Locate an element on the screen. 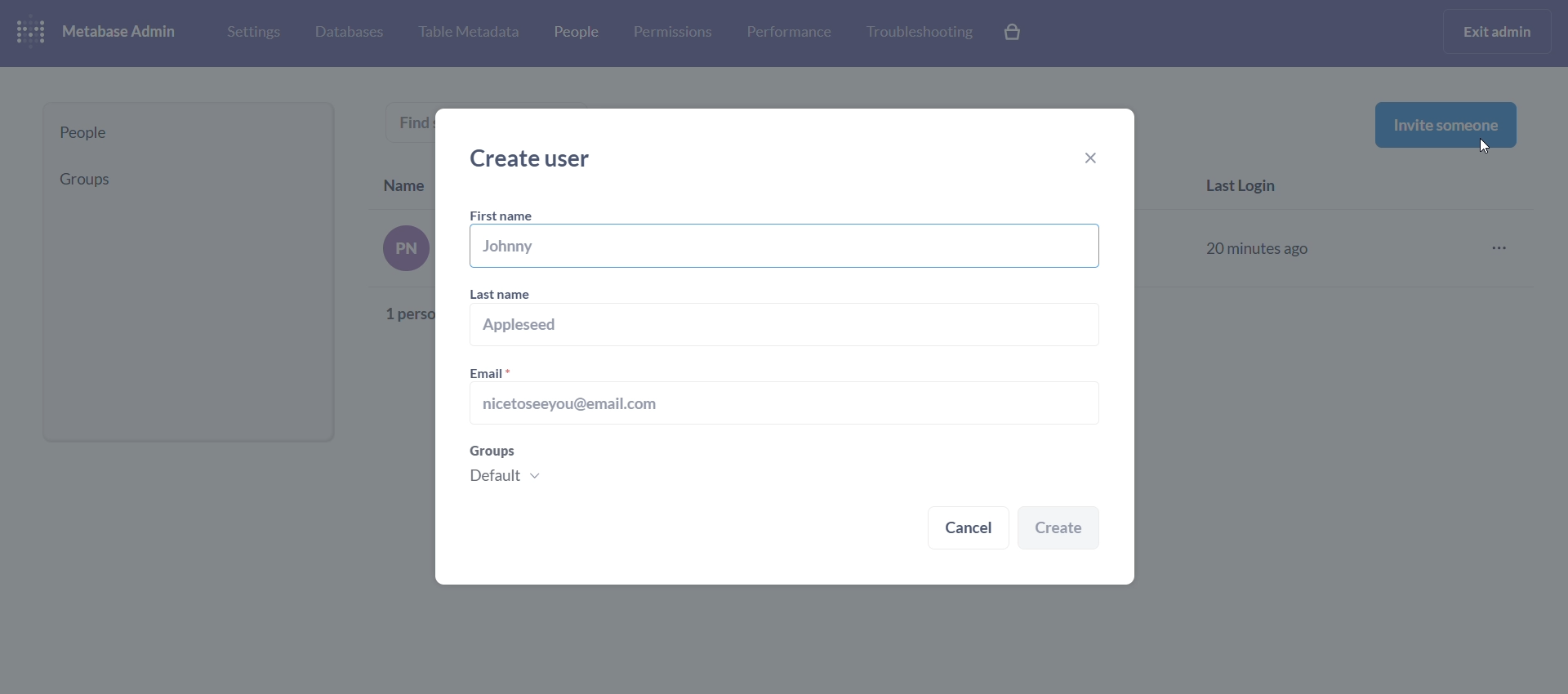  explore paid features is located at coordinates (1014, 33).